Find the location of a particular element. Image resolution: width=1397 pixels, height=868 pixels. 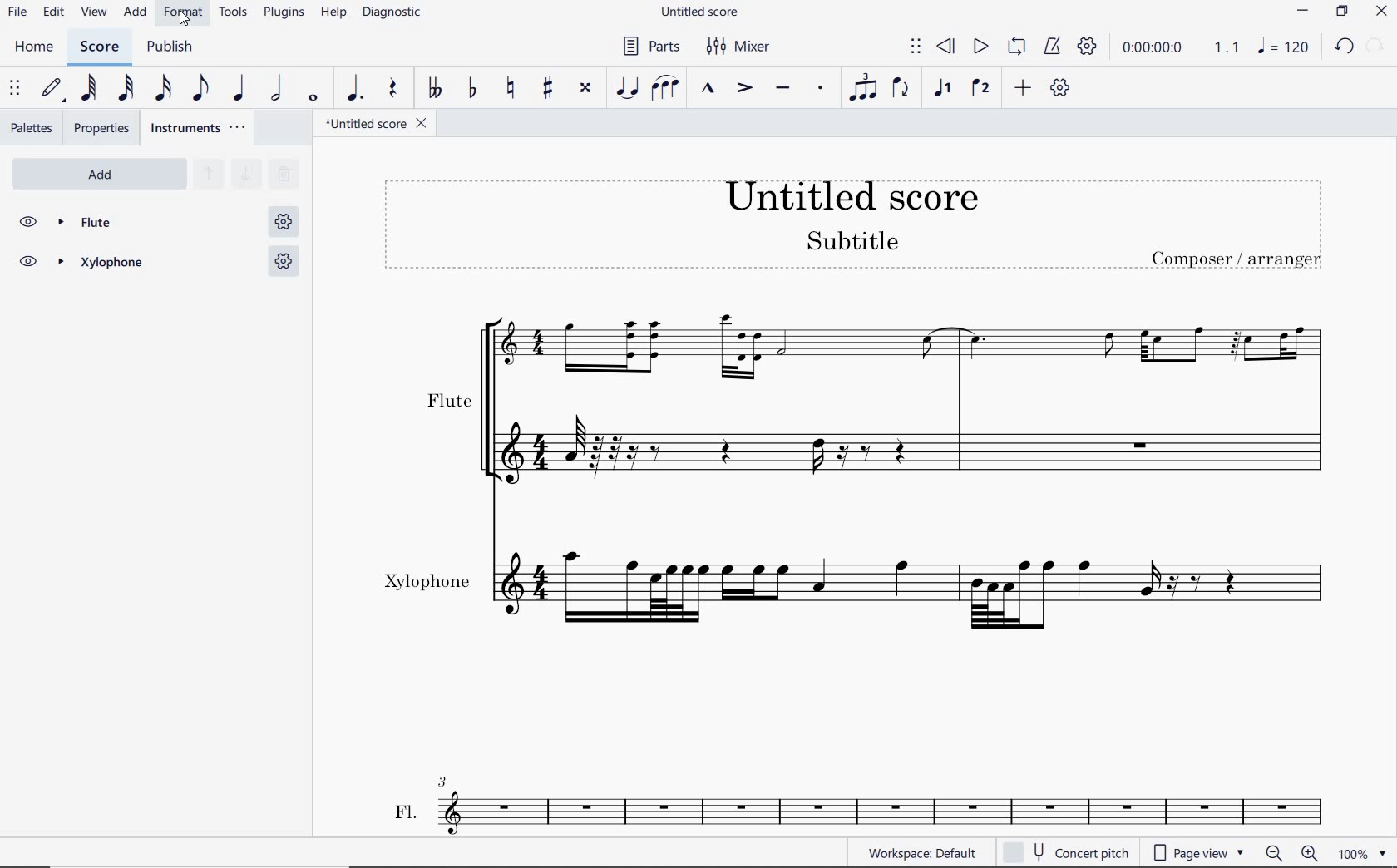

FLUTE is located at coordinates (158, 223).